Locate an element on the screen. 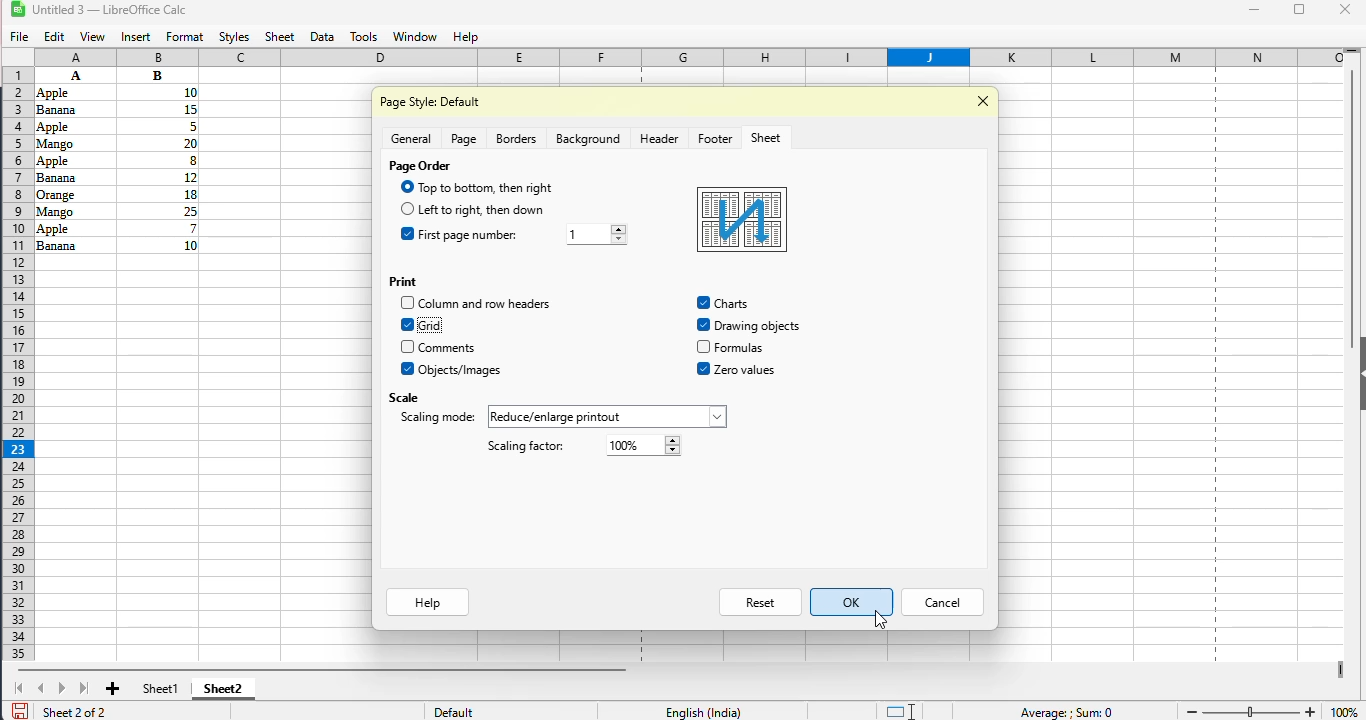 The width and height of the screenshot is (1366, 720).  is located at coordinates (407, 209).